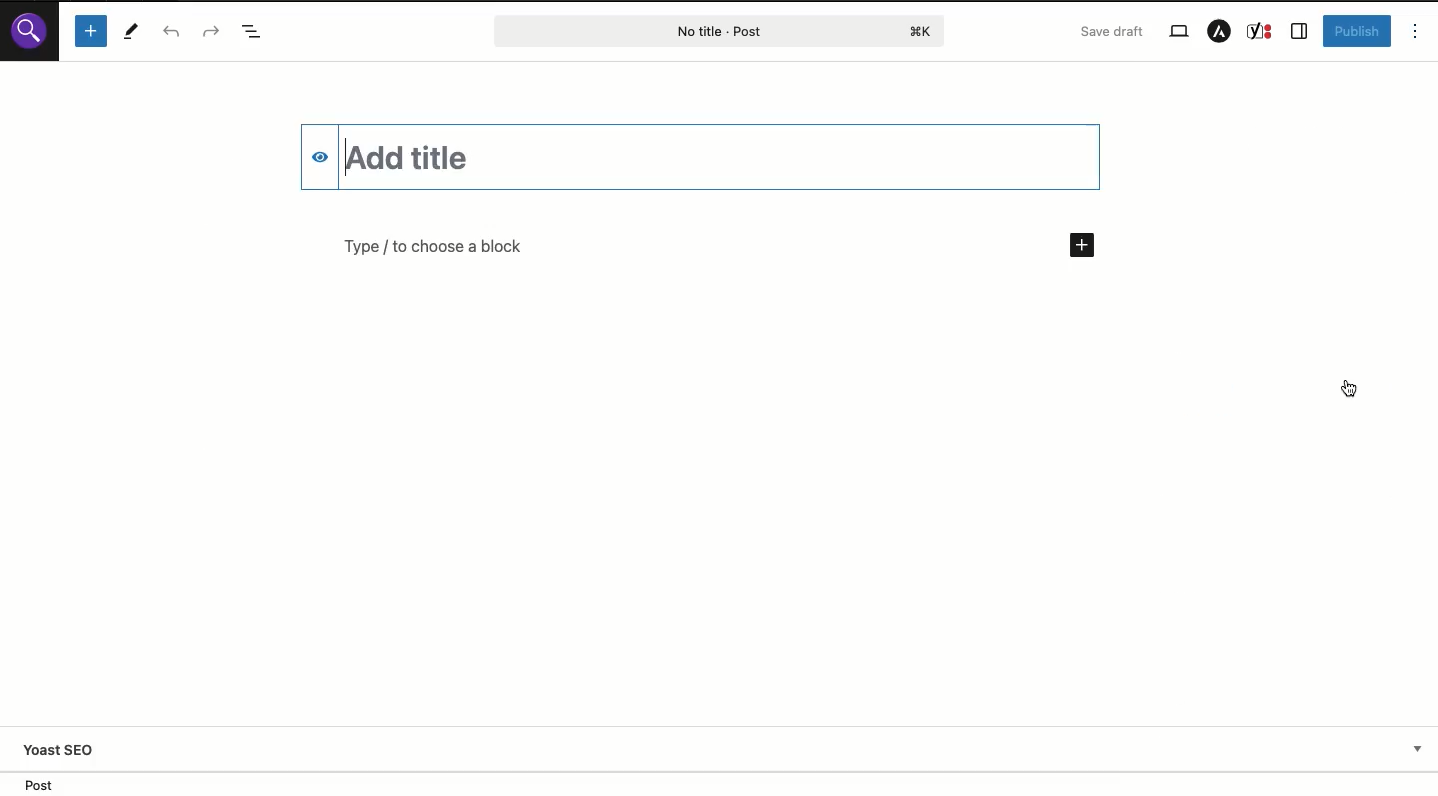 Image resolution: width=1438 pixels, height=796 pixels. Describe the element at coordinates (410, 245) in the screenshot. I see `Text` at that location.